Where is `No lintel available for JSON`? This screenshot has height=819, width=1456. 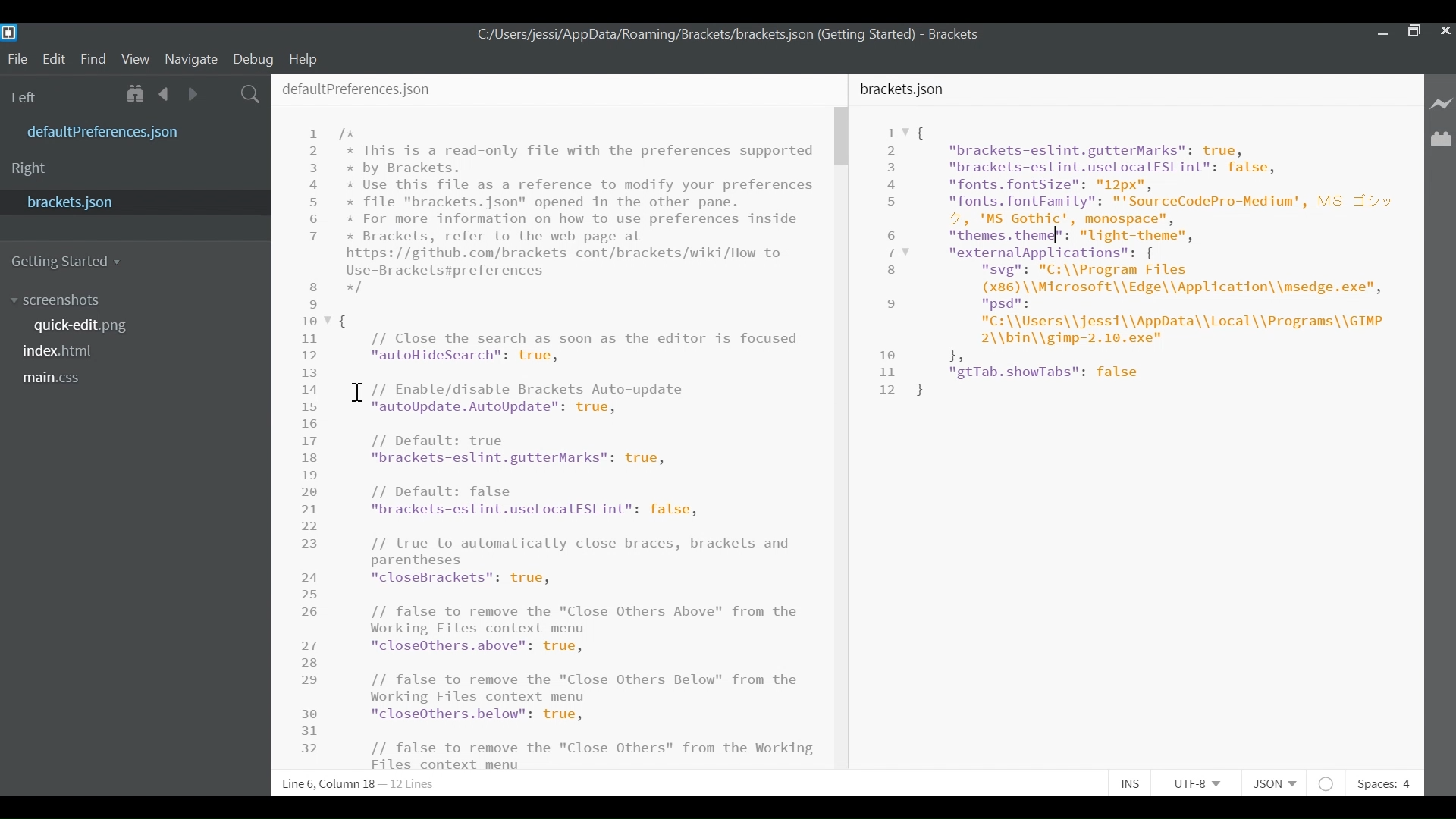
No lintel available for JSON is located at coordinates (1327, 783).